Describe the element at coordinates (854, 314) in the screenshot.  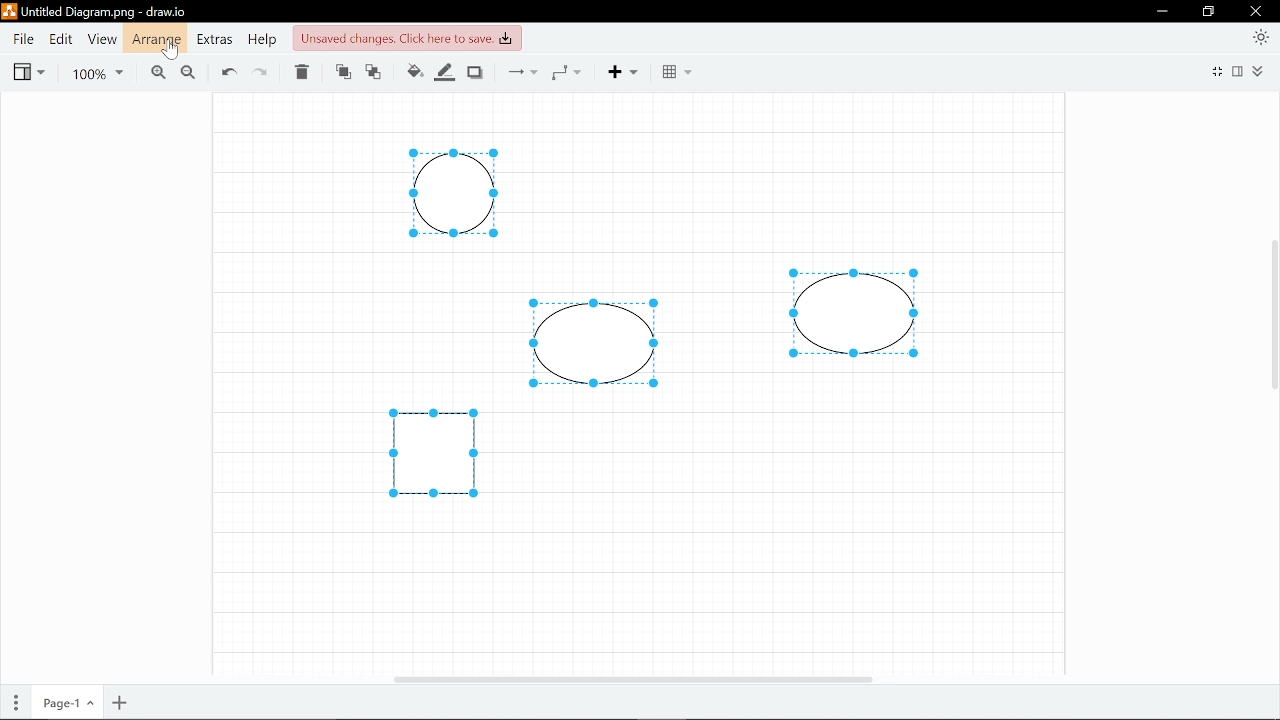
I see `Diagram` at that location.